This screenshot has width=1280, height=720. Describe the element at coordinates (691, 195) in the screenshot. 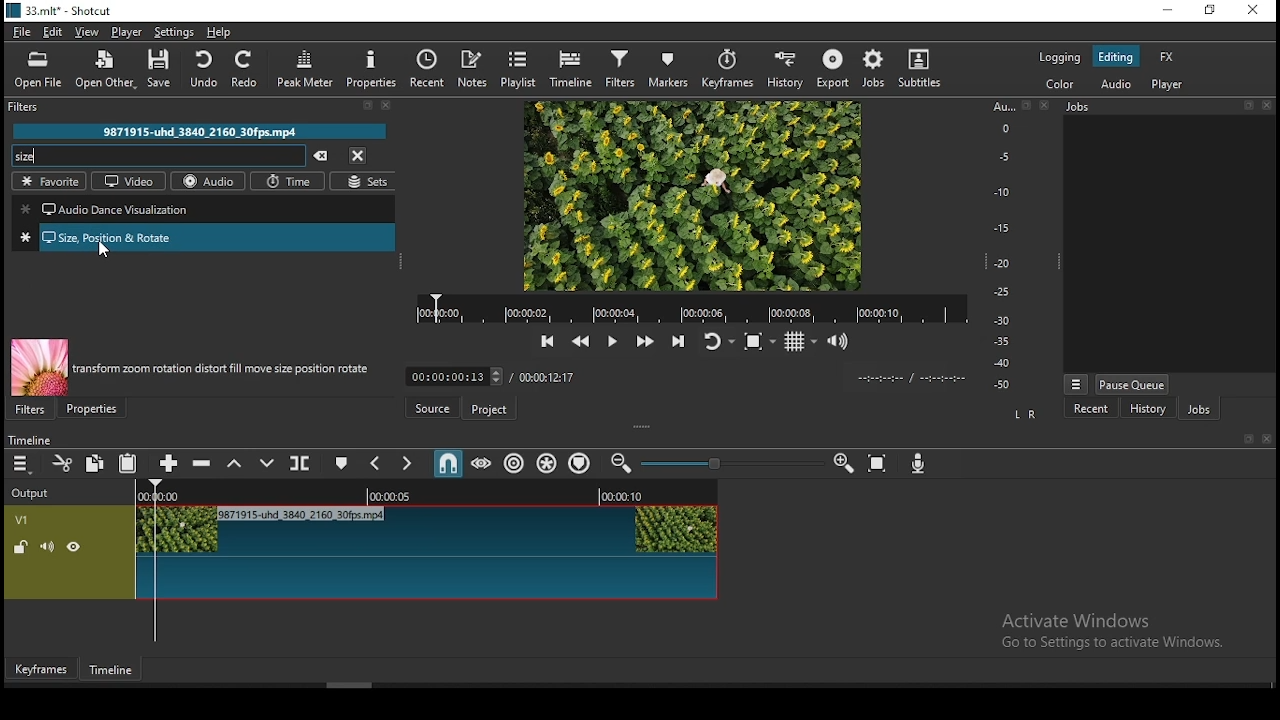

I see `video` at that location.